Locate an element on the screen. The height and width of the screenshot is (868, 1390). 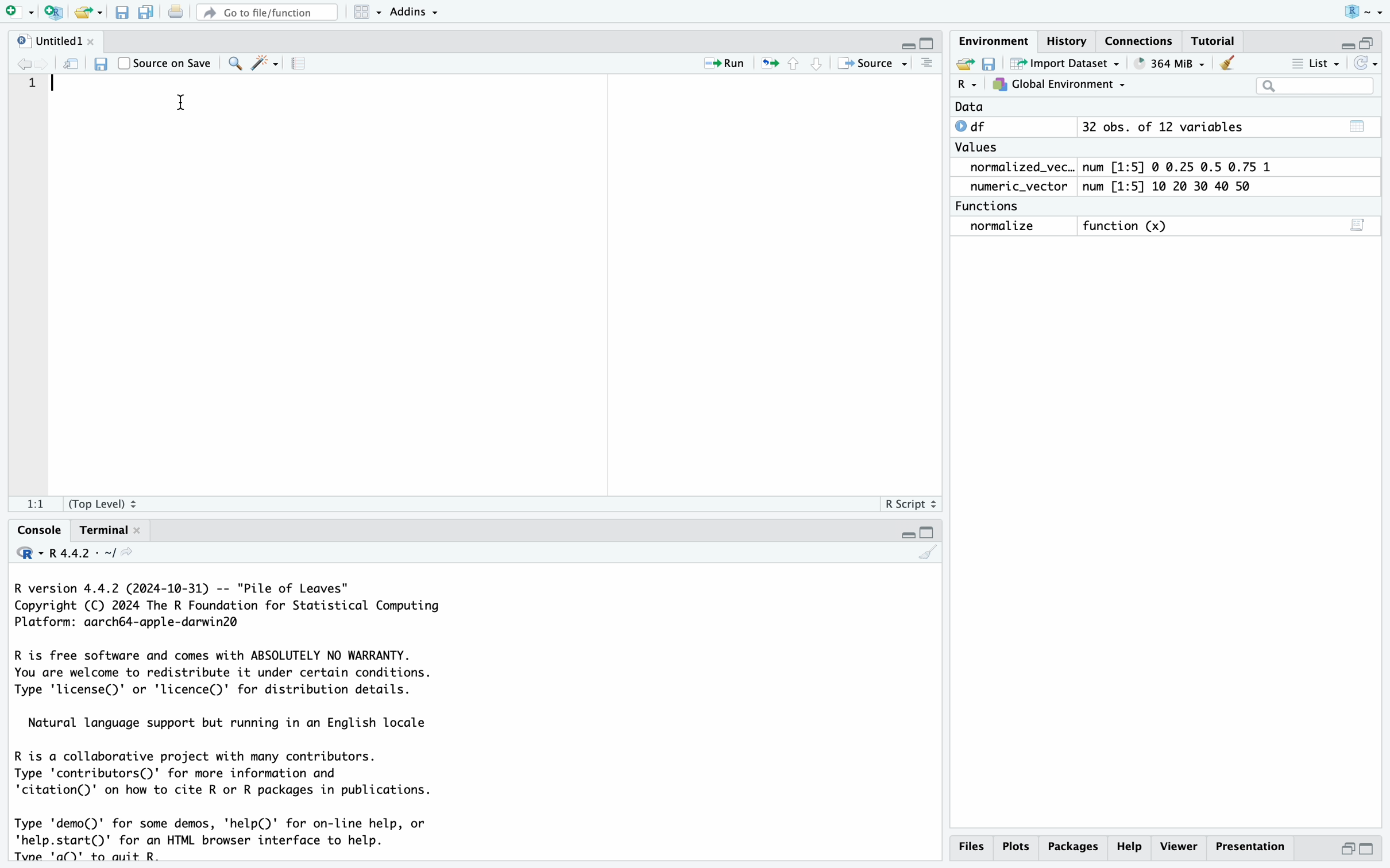
History is located at coordinates (1068, 44).